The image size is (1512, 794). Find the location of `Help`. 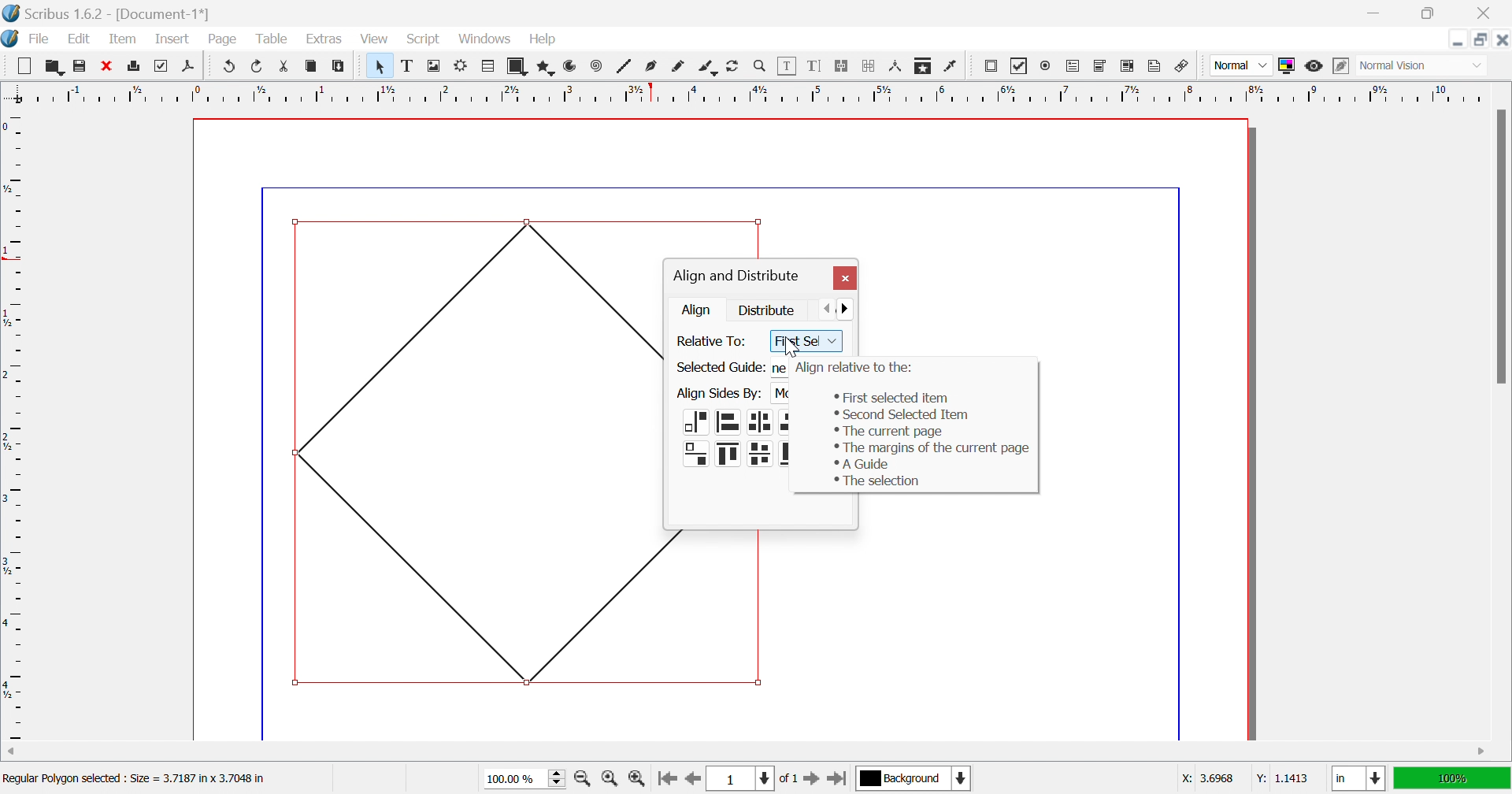

Help is located at coordinates (543, 39).